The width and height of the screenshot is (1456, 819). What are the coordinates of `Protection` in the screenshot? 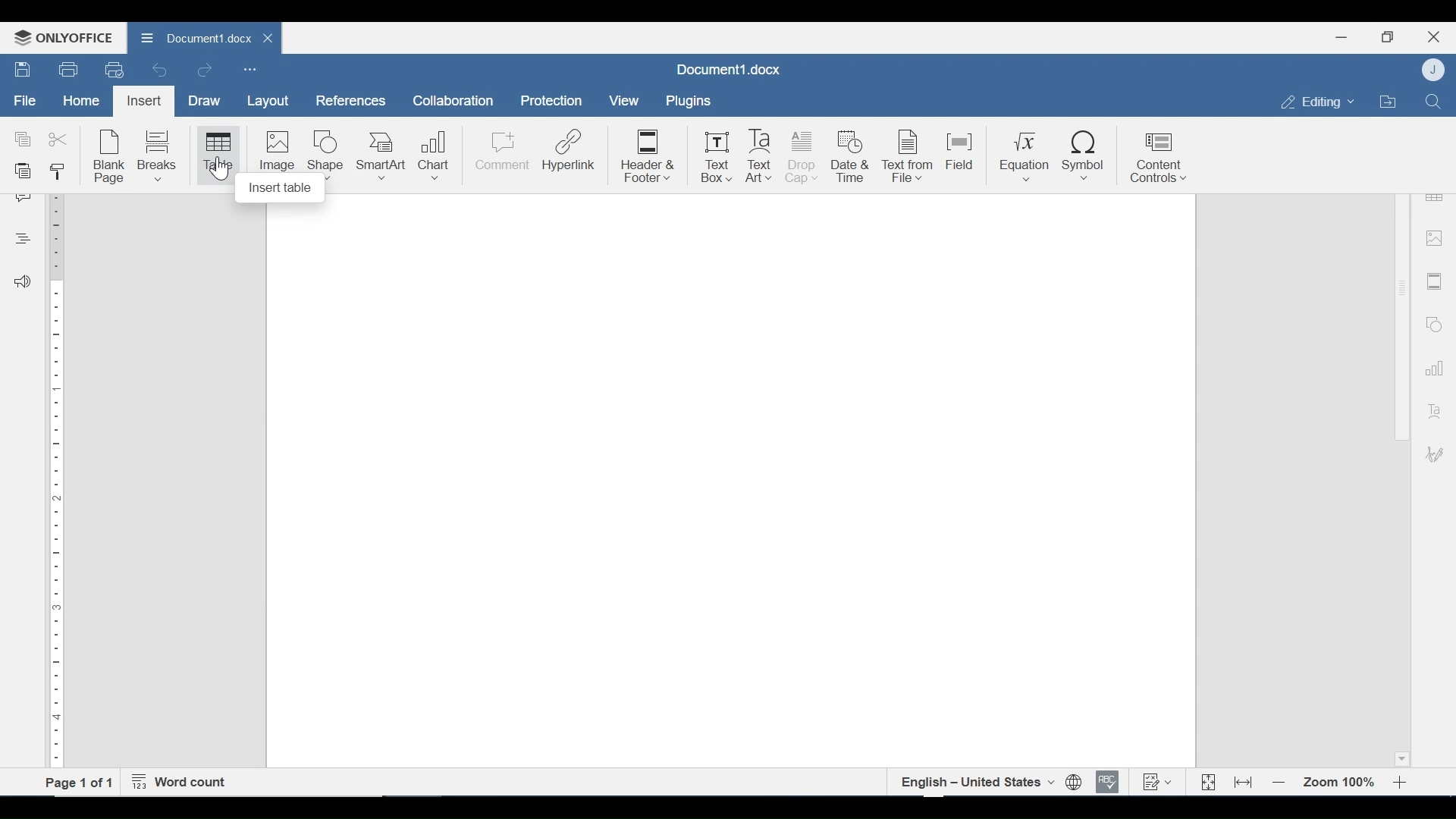 It's located at (551, 102).